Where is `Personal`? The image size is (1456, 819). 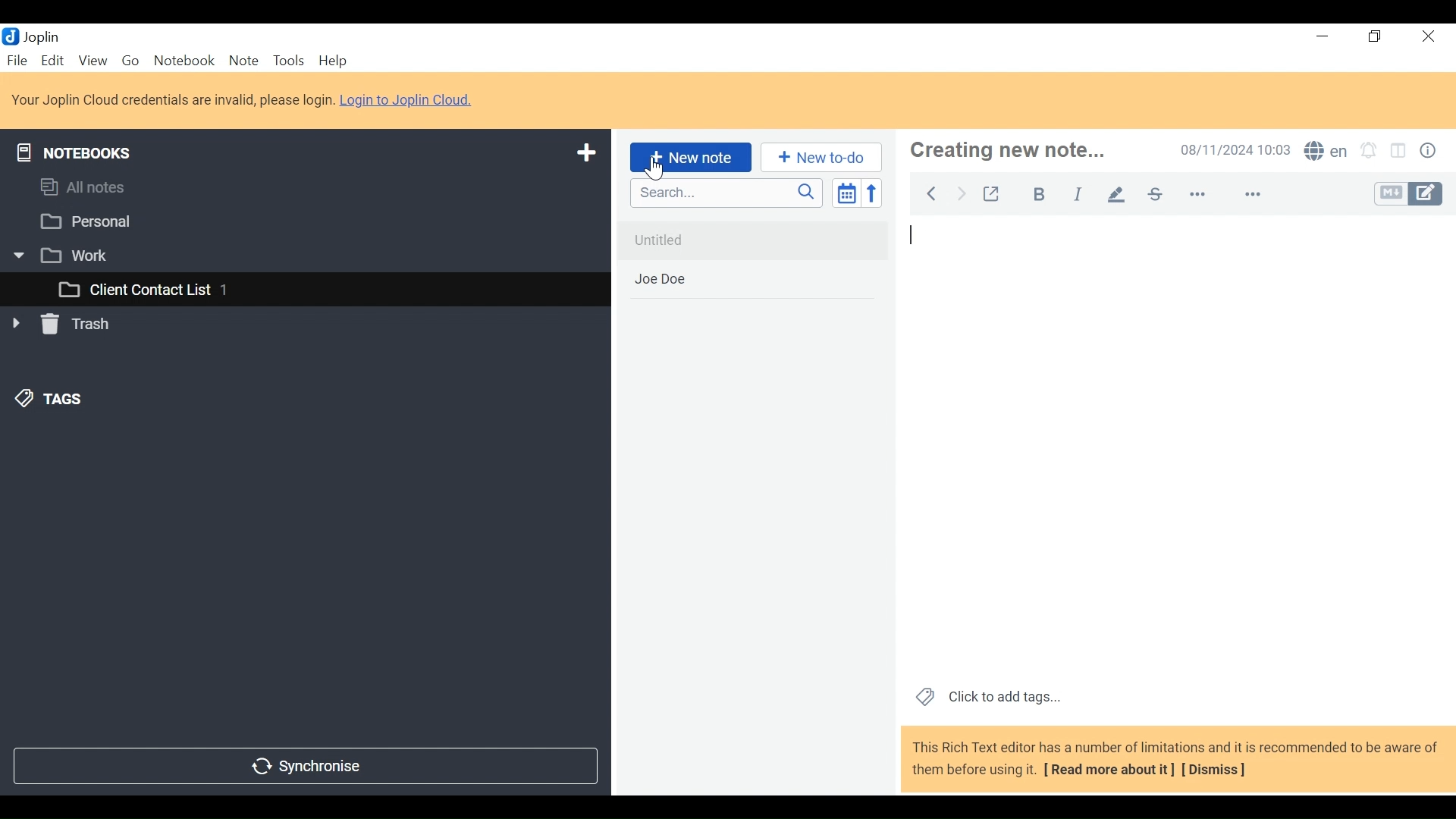
Personal is located at coordinates (300, 221).